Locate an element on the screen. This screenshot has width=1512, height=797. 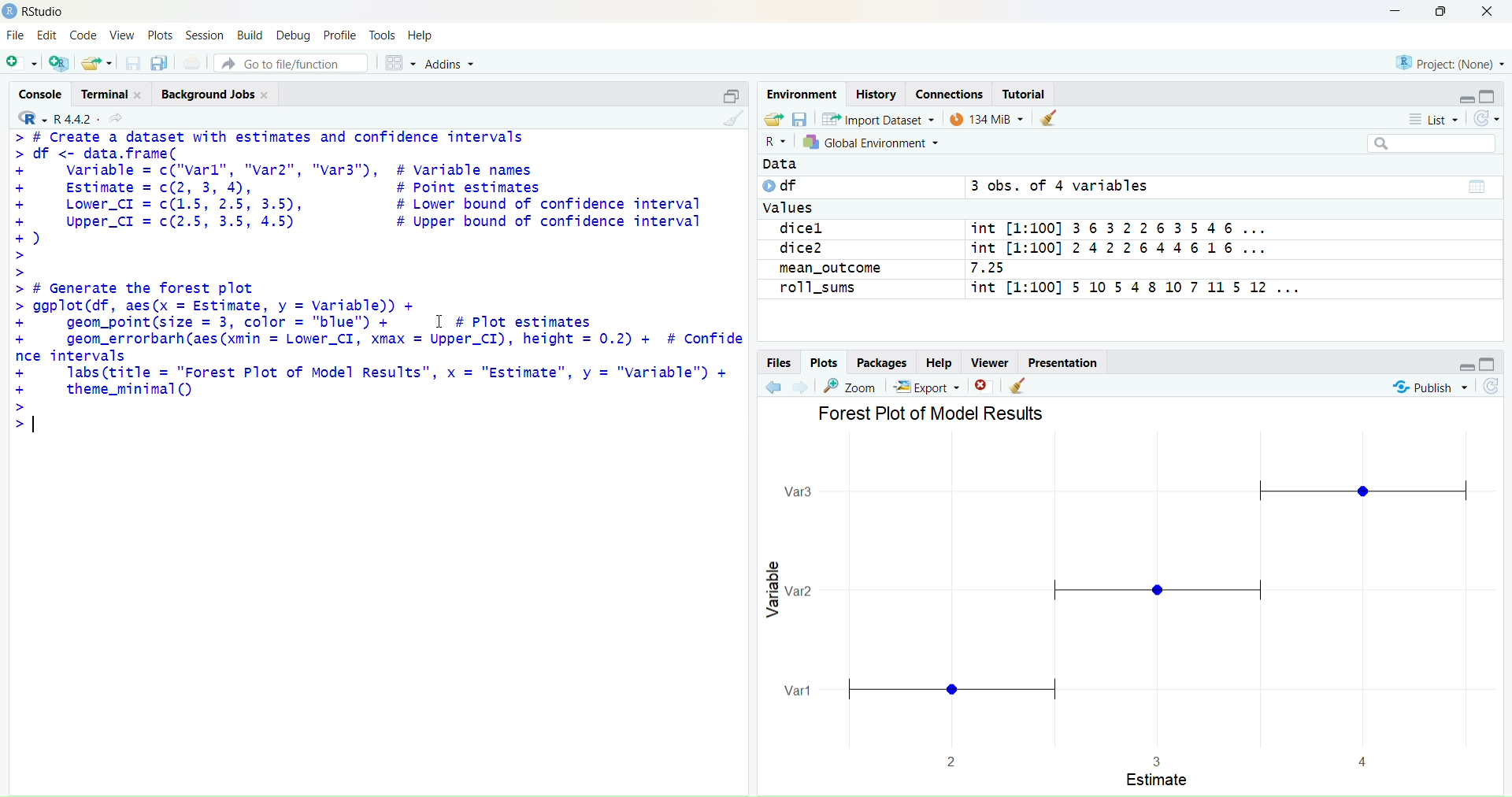
export is located at coordinates (926, 387).